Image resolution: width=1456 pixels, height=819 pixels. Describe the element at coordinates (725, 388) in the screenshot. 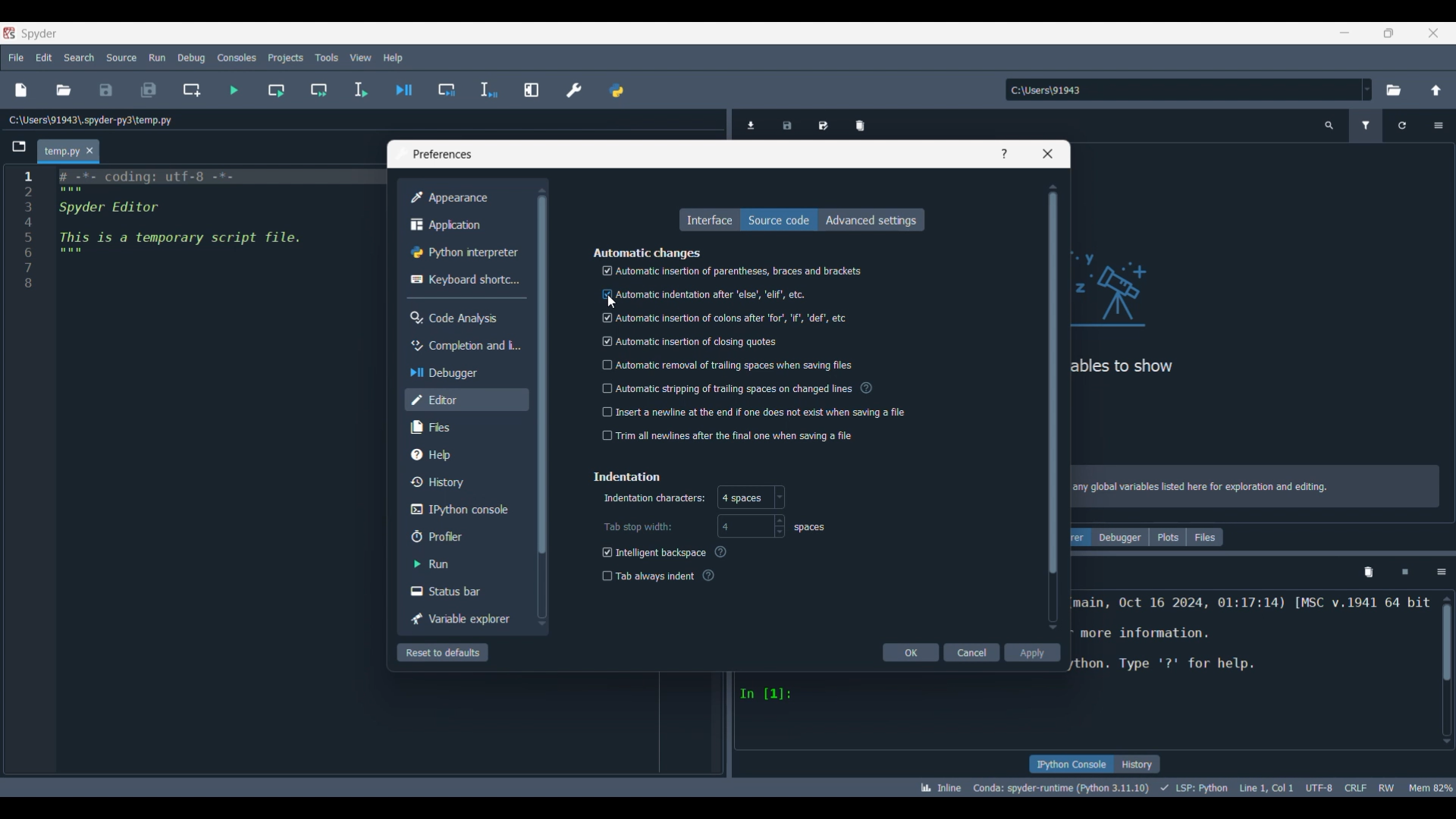

I see `‘Automatic stripping of trailing spaces on changed lines` at that location.